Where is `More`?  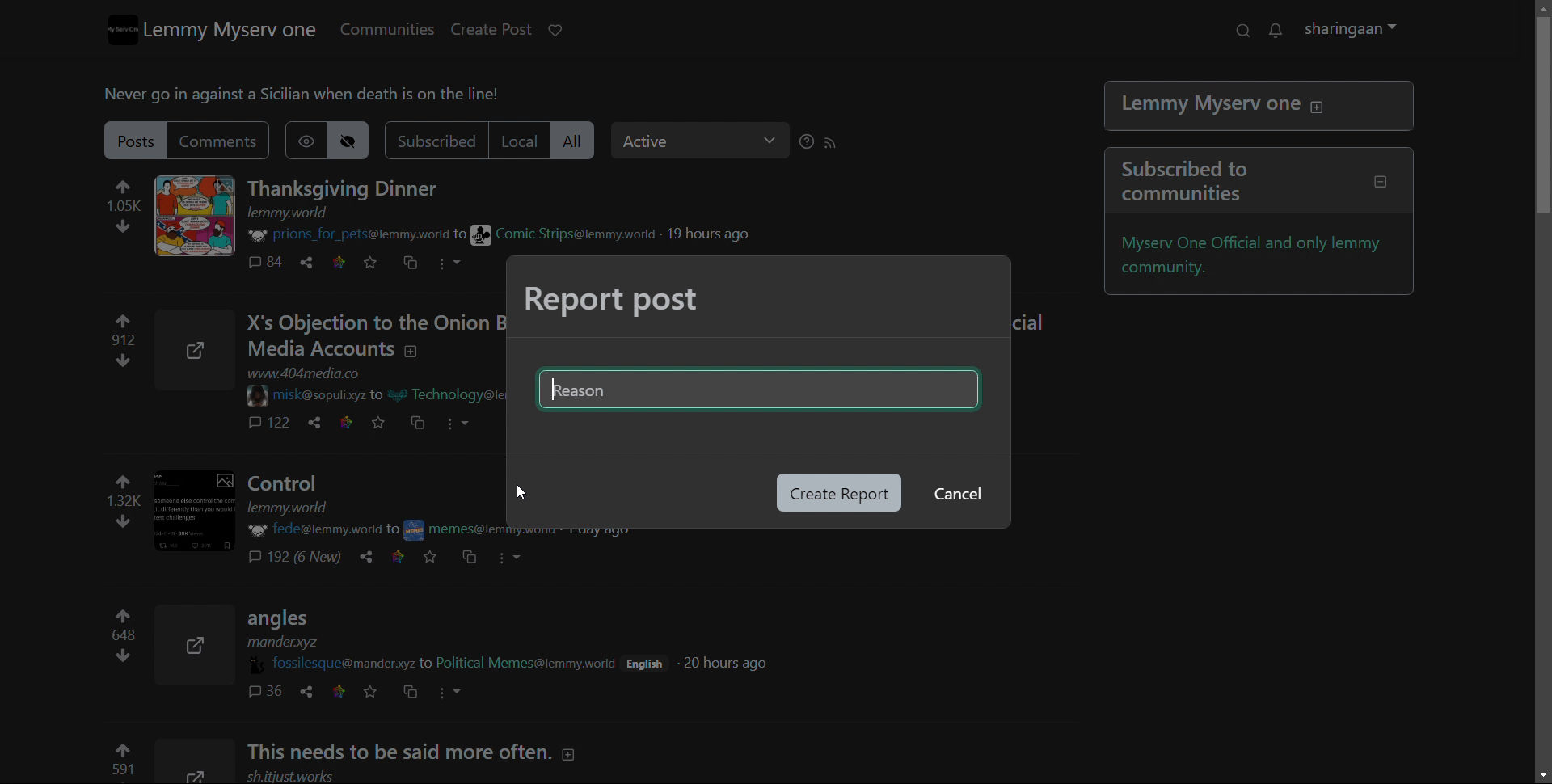 More is located at coordinates (521, 560).